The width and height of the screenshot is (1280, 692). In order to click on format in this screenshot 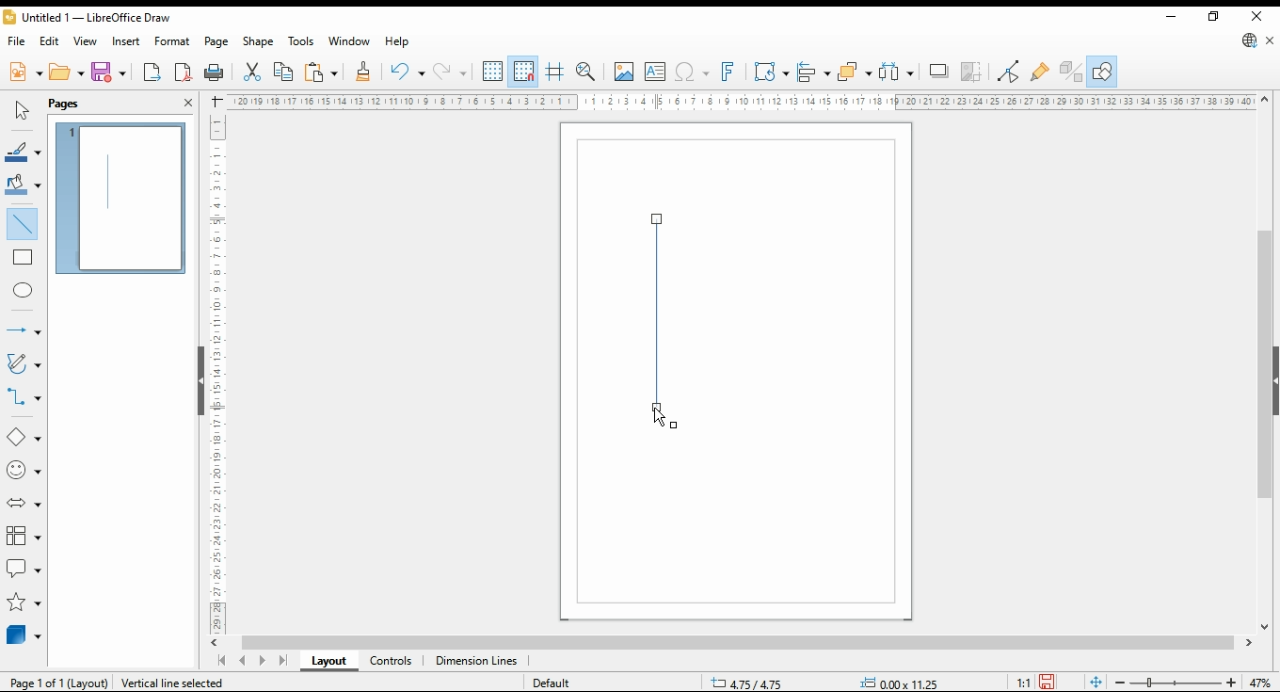, I will do `click(173, 41)`.